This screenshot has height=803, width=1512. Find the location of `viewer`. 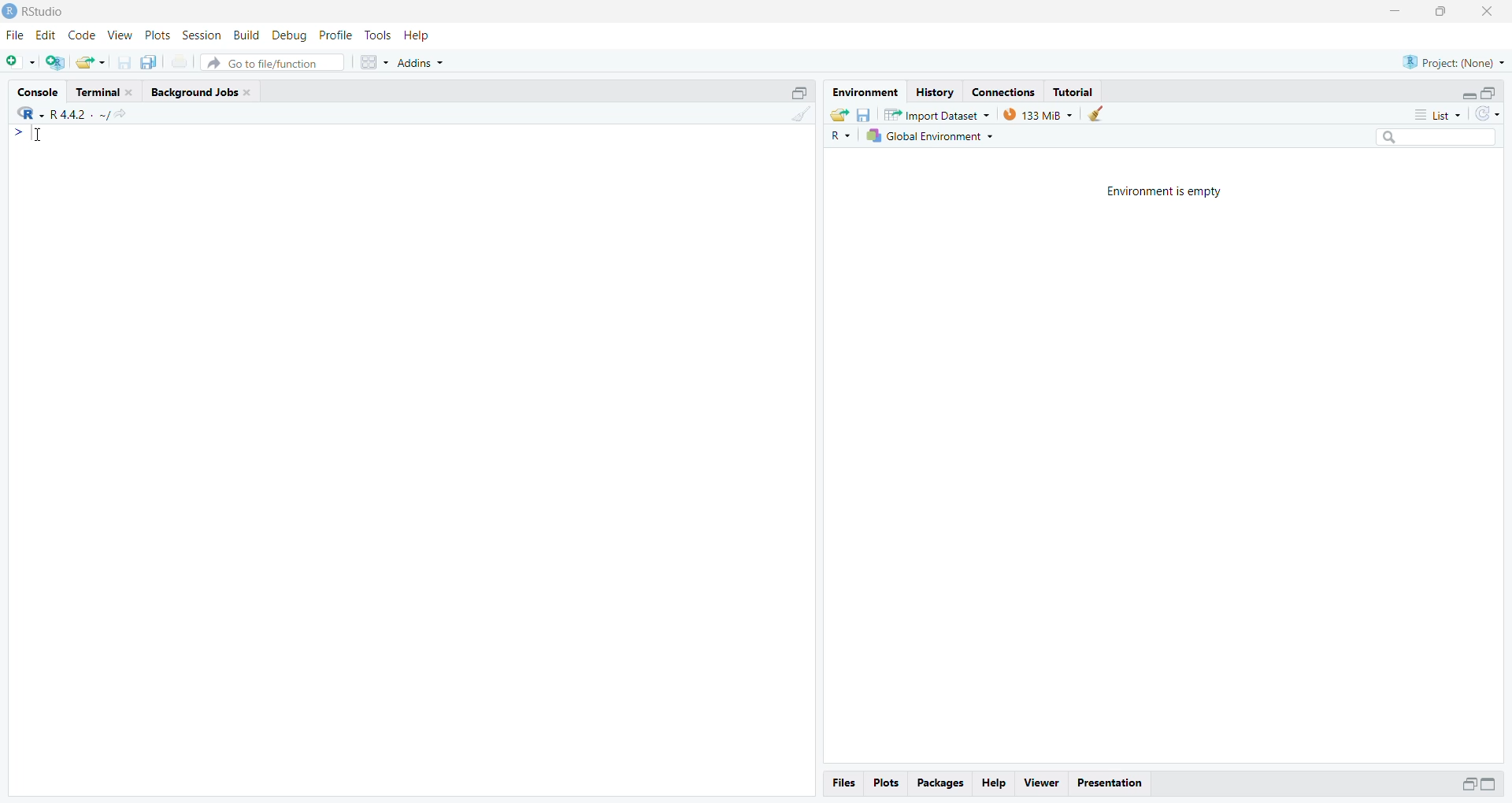

viewer is located at coordinates (1043, 782).